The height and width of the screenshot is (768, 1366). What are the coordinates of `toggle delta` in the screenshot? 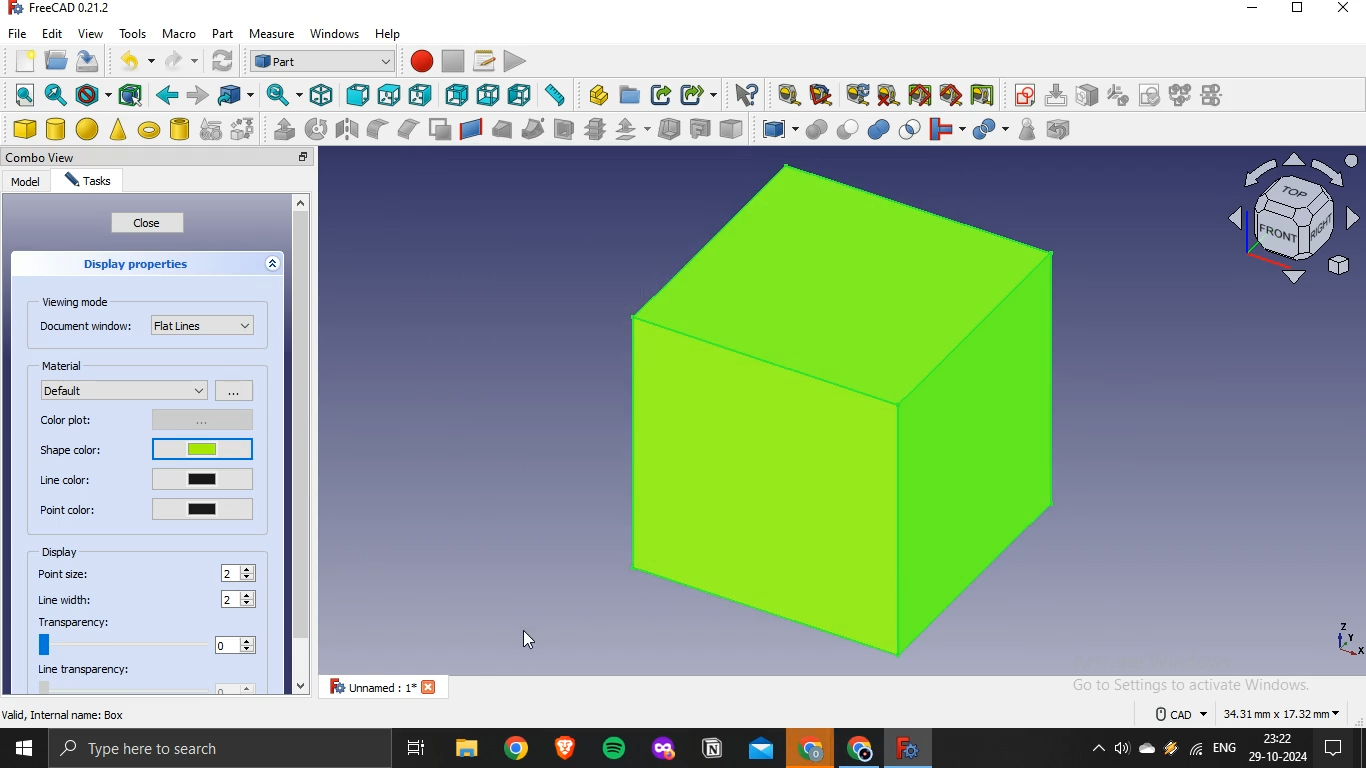 It's located at (983, 94).